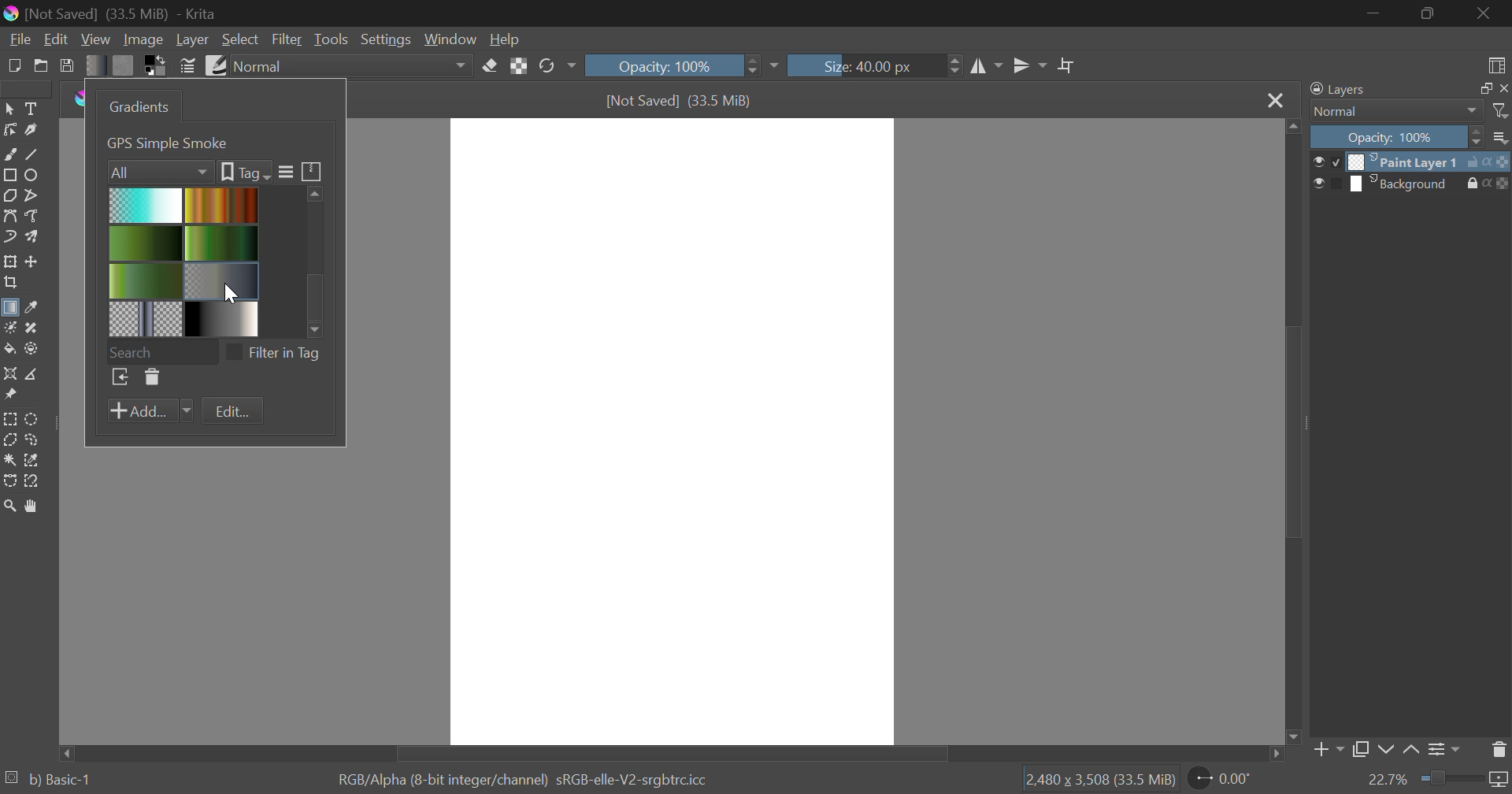 The height and width of the screenshot is (794, 1512). What do you see at coordinates (31, 481) in the screenshot?
I see `Magnetic Selection` at bounding box center [31, 481].